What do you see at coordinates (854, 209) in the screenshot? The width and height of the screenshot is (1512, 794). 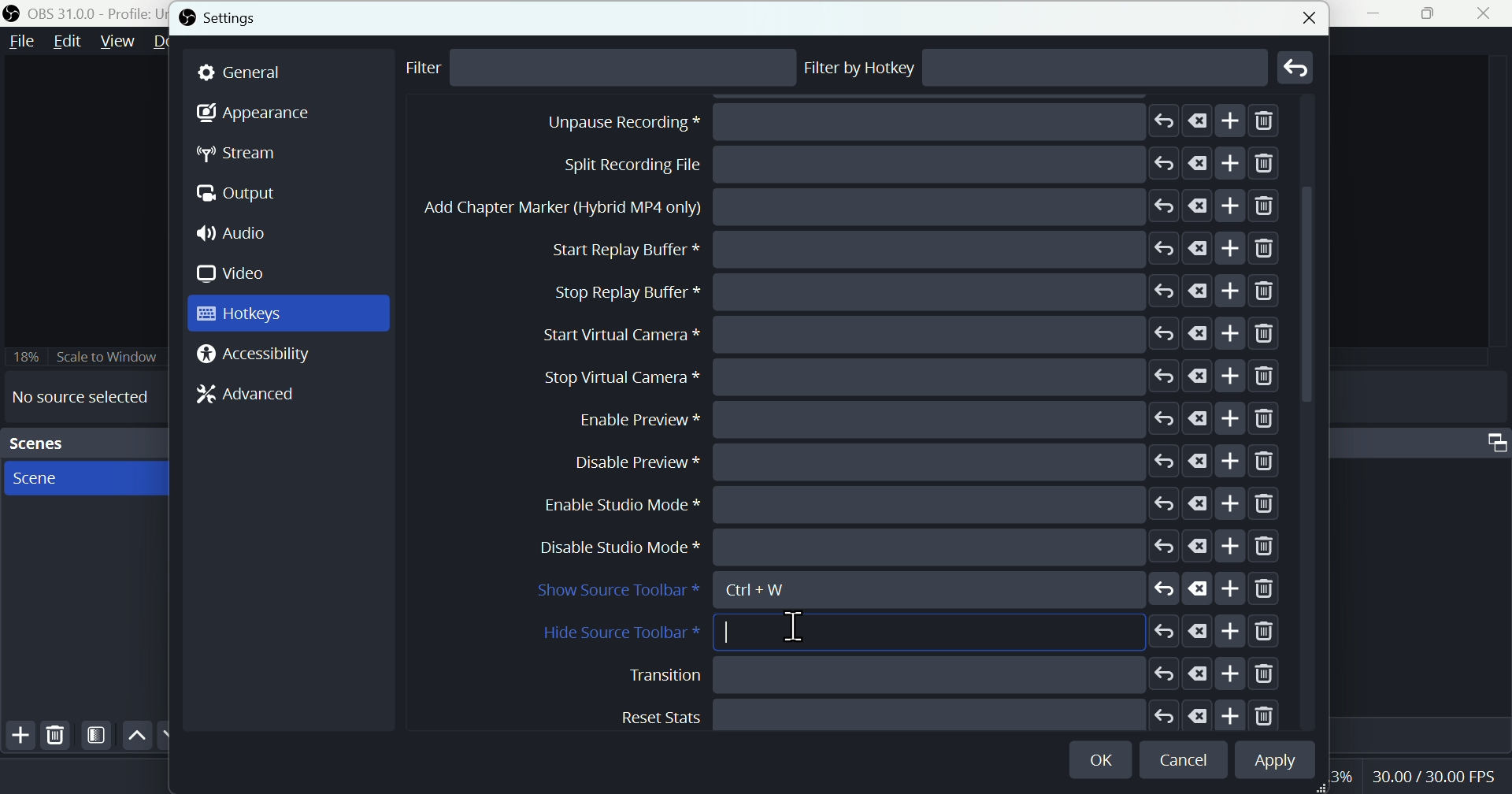 I see `Stop recording` at bounding box center [854, 209].